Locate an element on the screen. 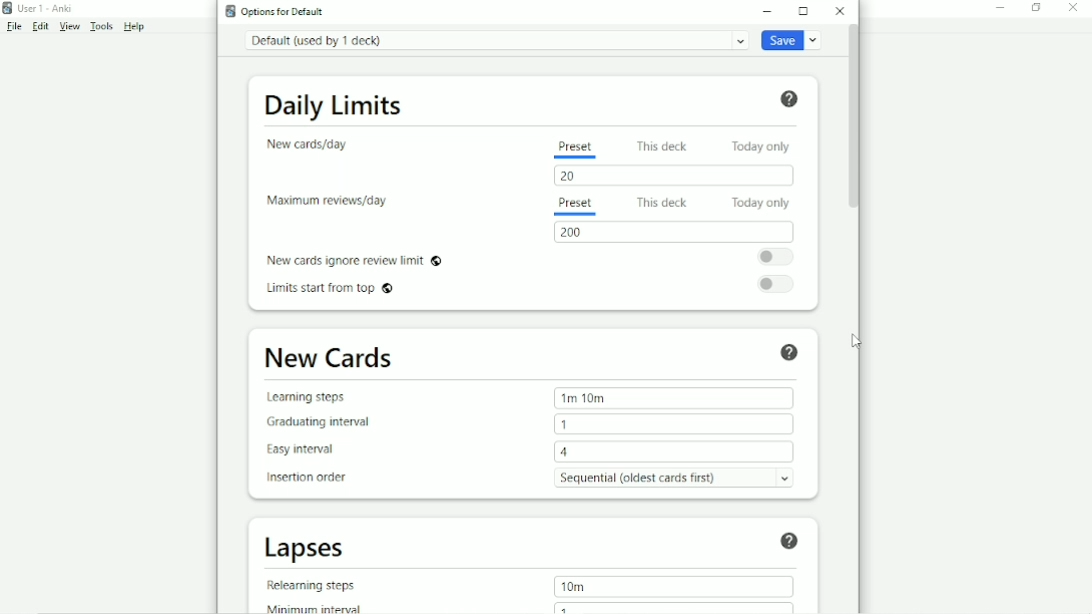  Insertion order is located at coordinates (305, 478).